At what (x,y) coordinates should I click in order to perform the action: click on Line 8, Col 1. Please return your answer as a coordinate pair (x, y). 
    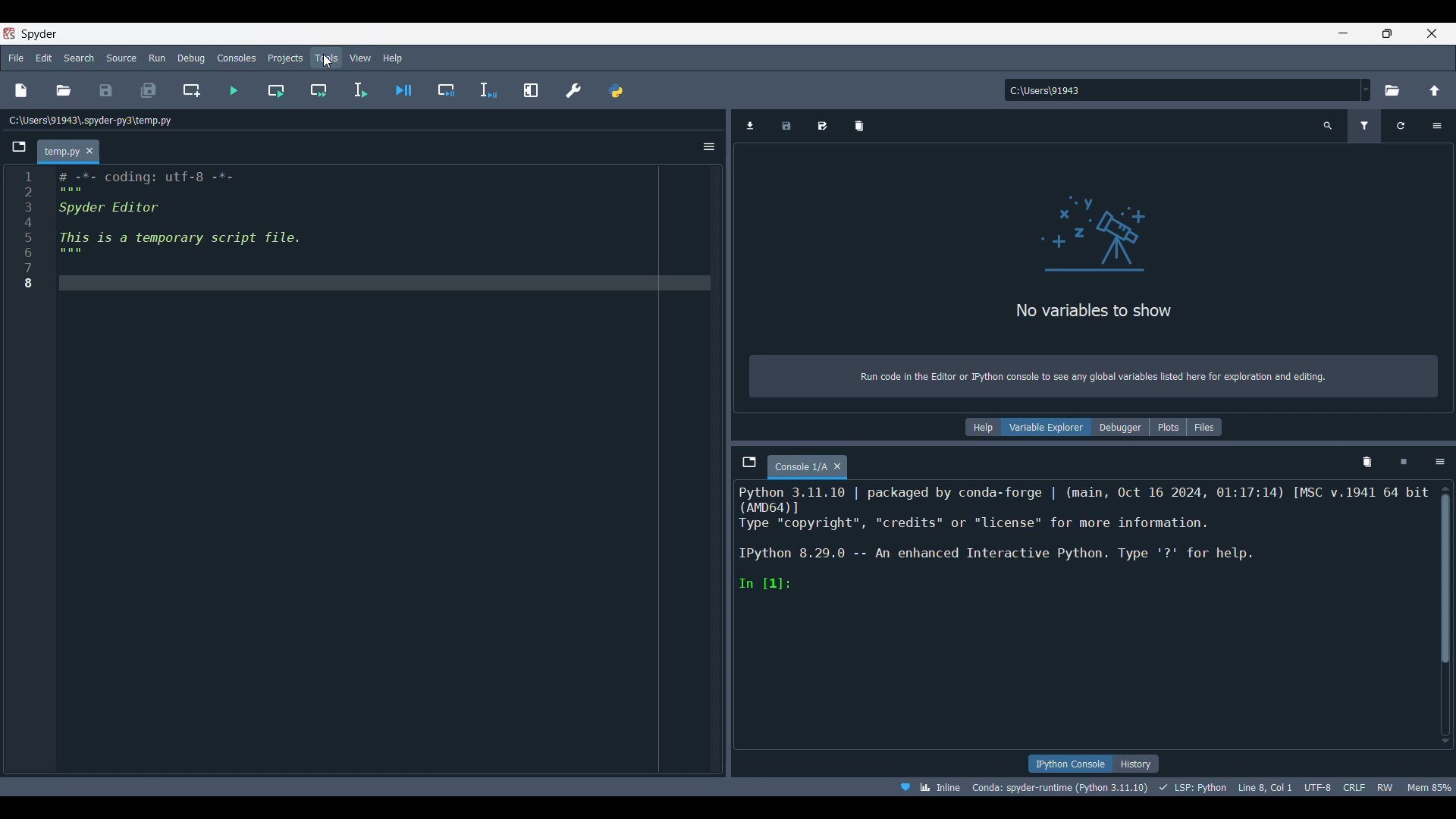
    Looking at the image, I should click on (1263, 787).